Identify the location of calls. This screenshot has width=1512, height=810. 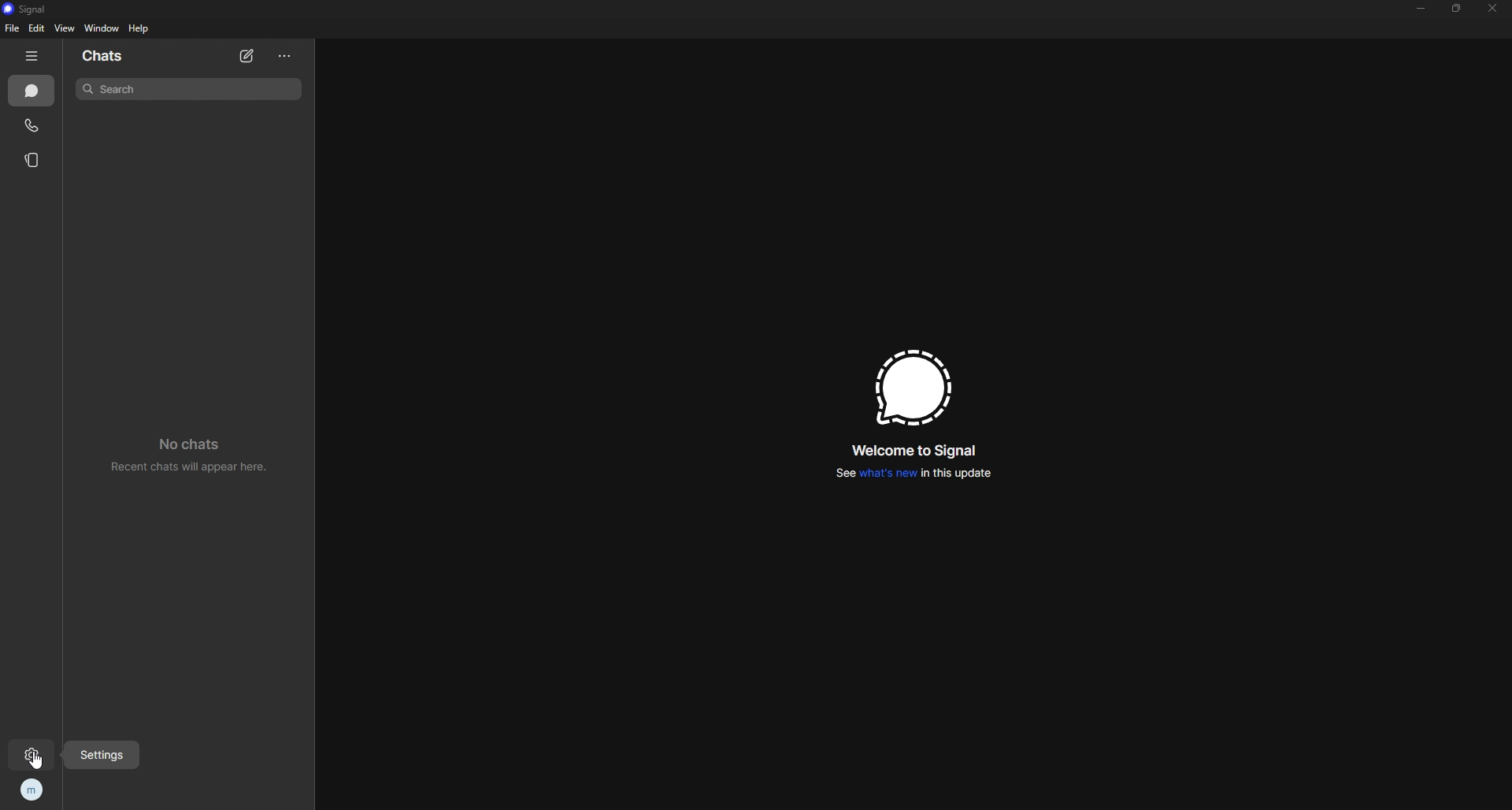
(32, 125).